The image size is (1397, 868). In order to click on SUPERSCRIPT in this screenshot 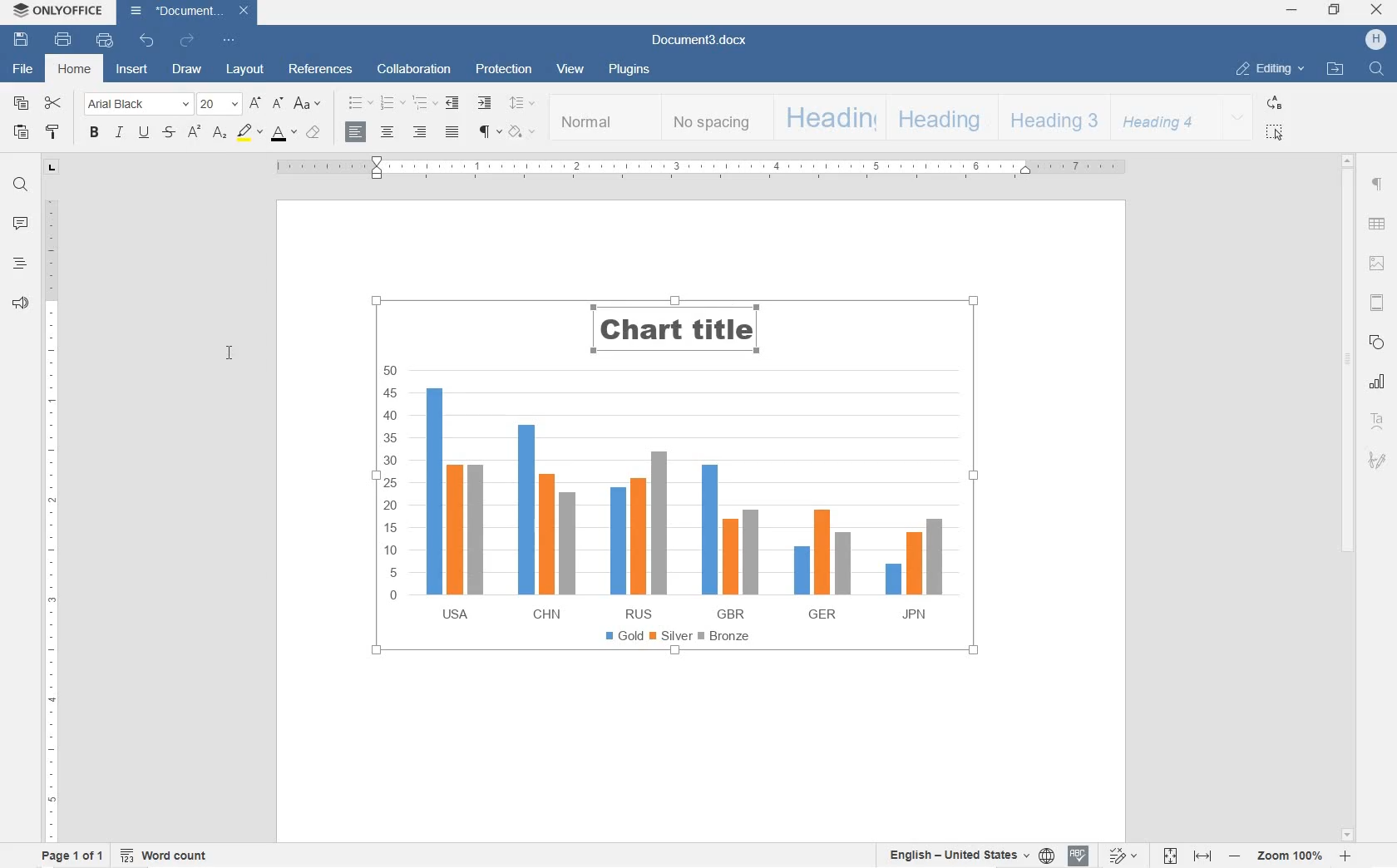, I will do `click(193, 134)`.